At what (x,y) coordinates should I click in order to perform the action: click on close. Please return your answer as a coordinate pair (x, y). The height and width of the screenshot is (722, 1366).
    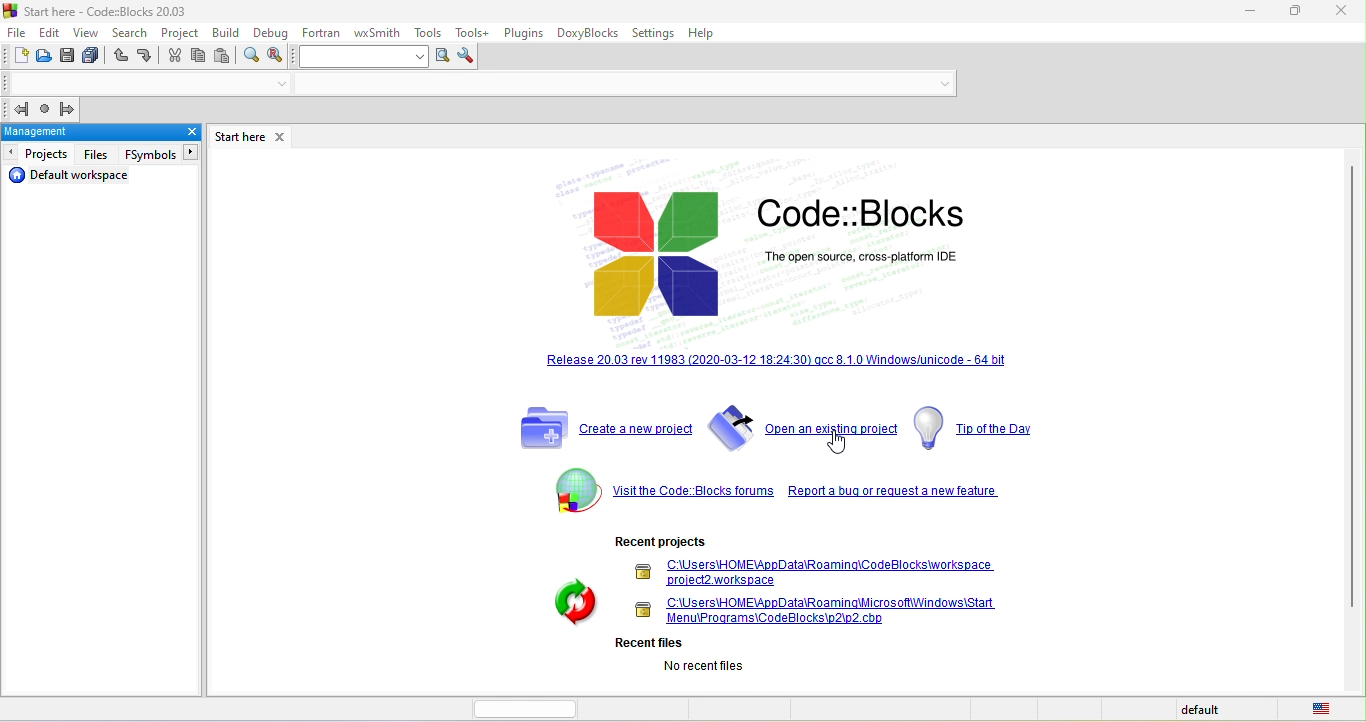
    Looking at the image, I should click on (182, 133).